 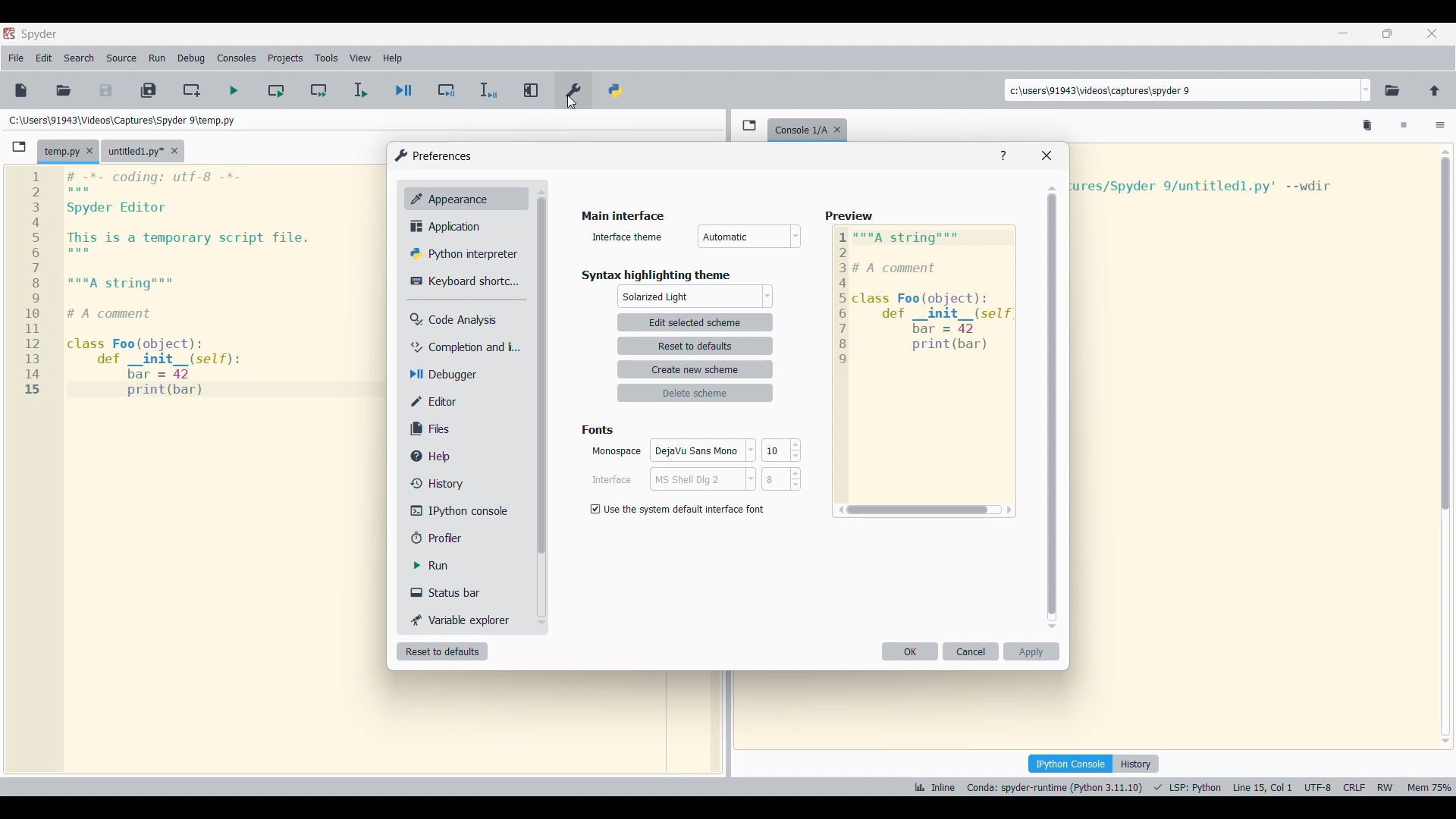 I want to click on Tools menu, so click(x=326, y=58).